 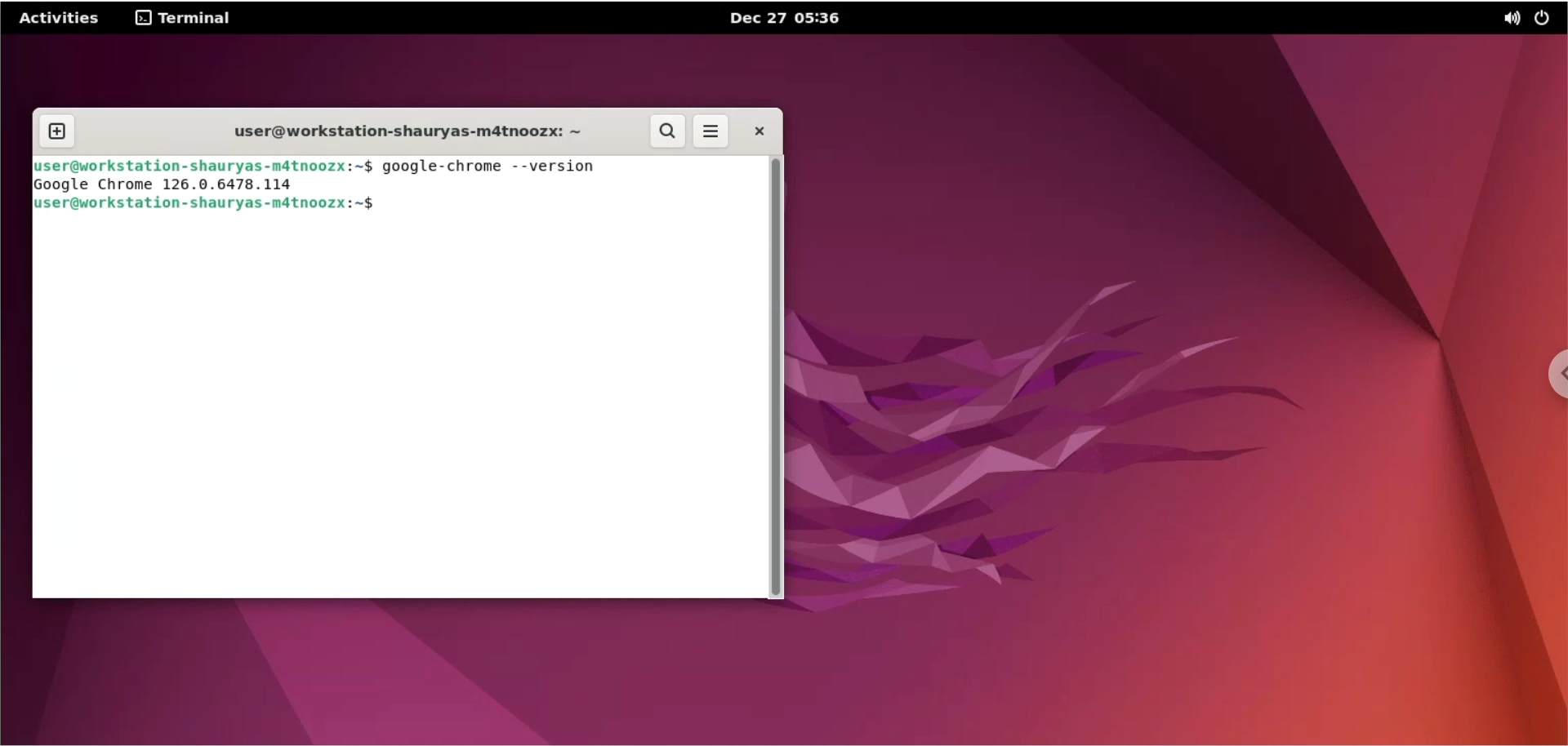 What do you see at coordinates (171, 185) in the screenshot?
I see `Google Chrome 126.0.6470.114` at bounding box center [171, 185].